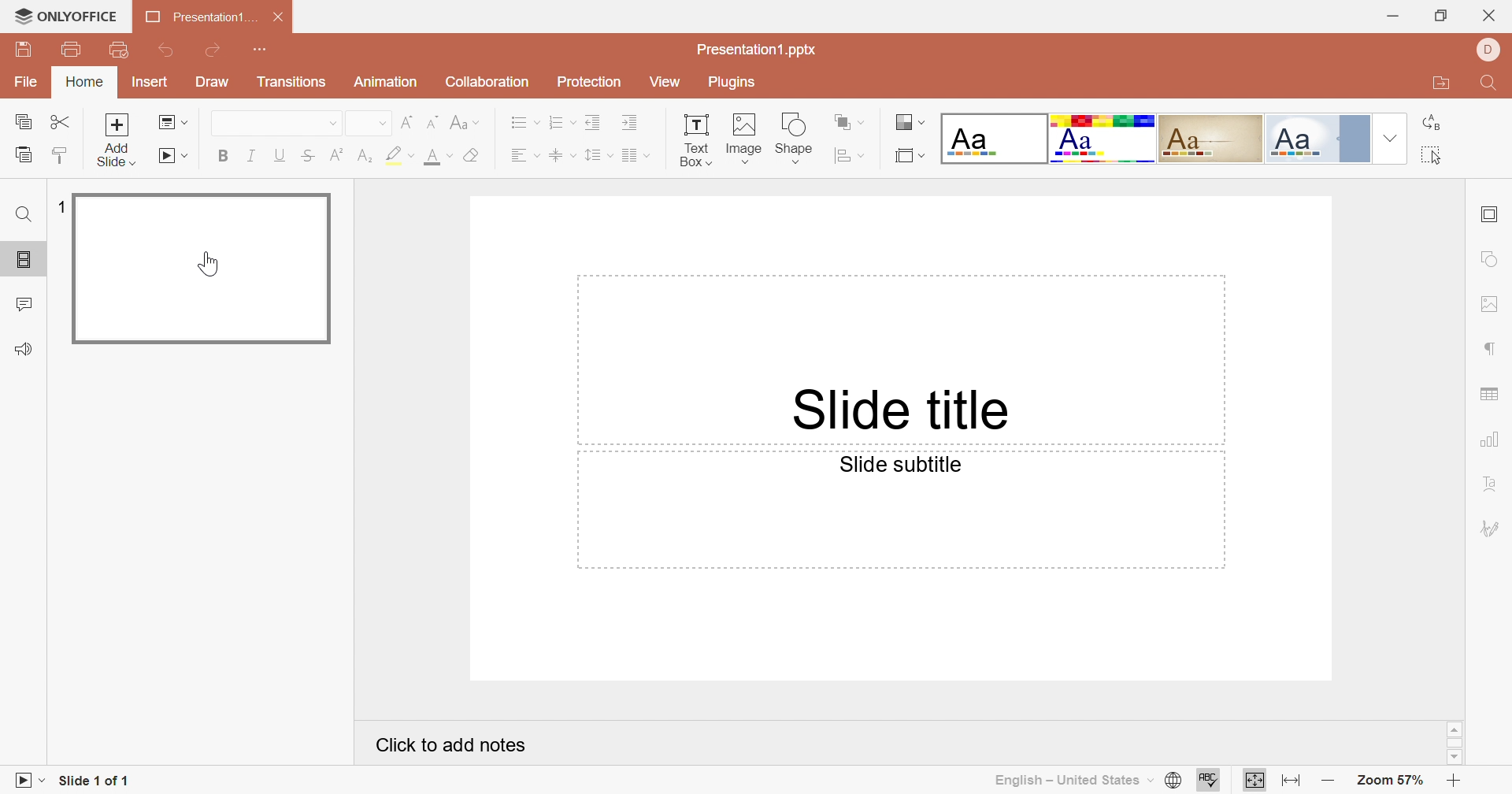 The height and width of the screenshot is (794, 1512). I want to click on Arrange shape, so click(850, 119).